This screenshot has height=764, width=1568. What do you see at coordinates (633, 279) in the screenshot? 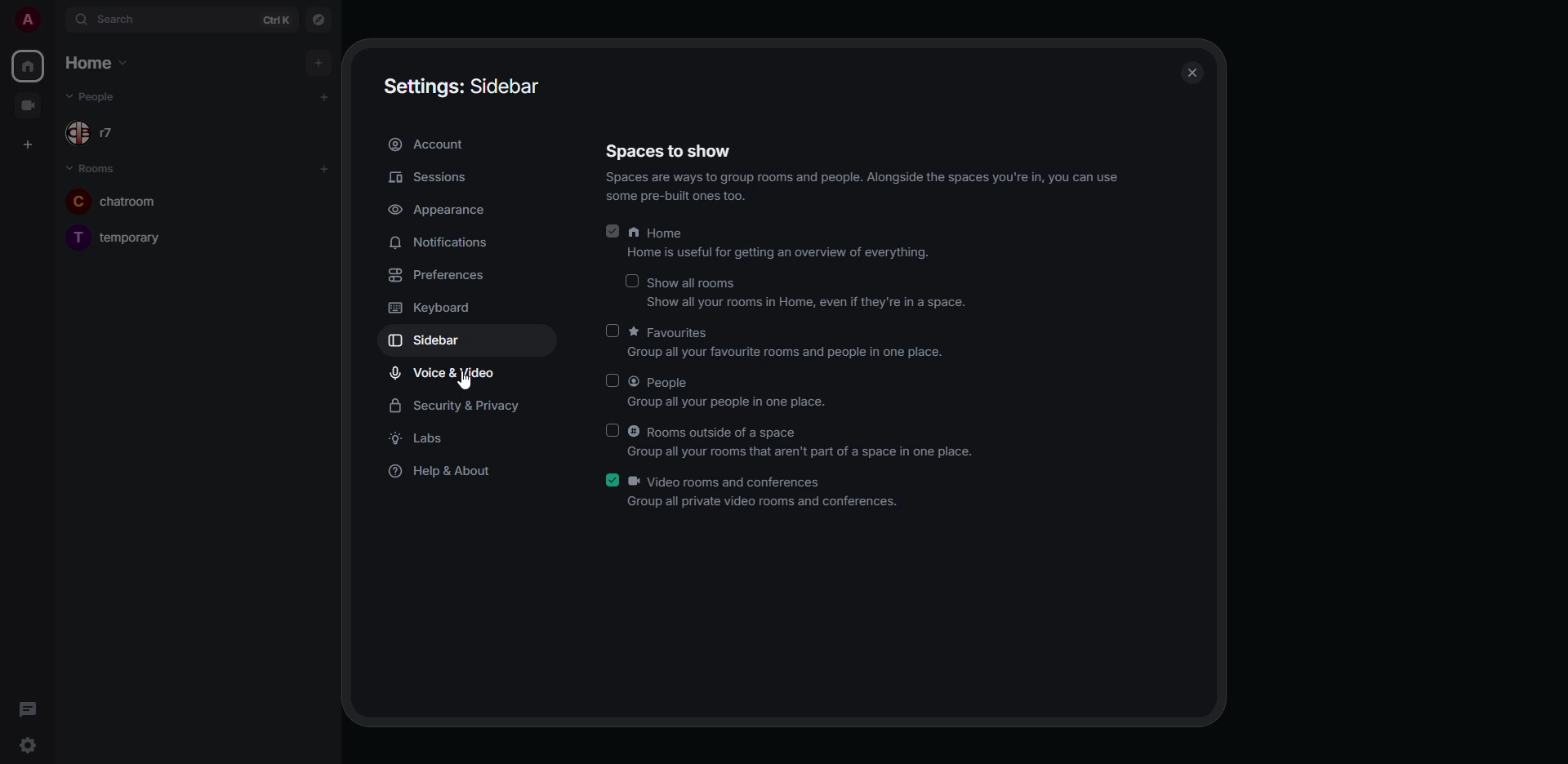
I see `click to enable` at bounding box center [633, 279].